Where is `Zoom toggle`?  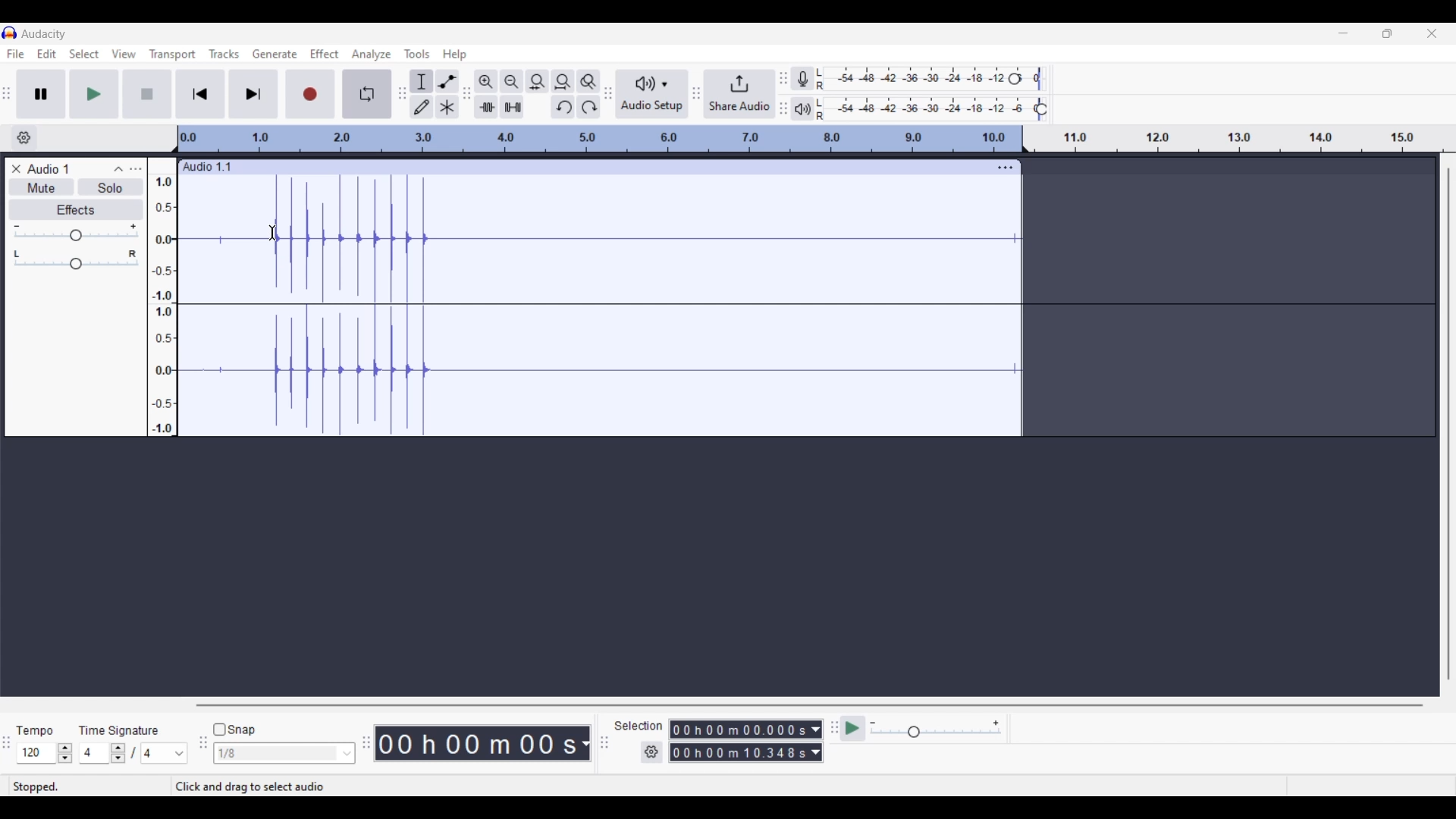
Zoom toggle is located at coordinates (588, 81).